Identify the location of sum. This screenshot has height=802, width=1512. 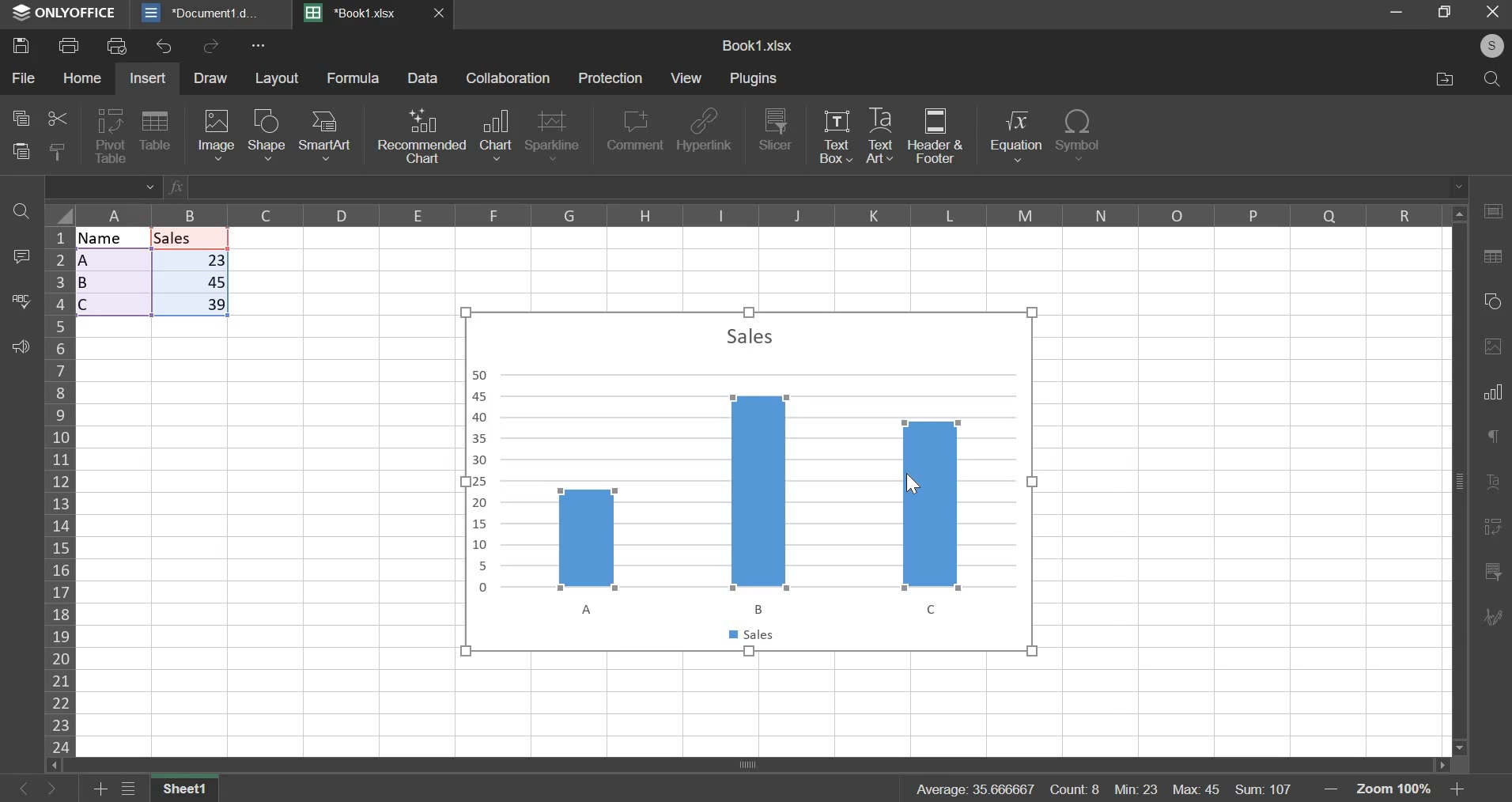
(1263, 789).